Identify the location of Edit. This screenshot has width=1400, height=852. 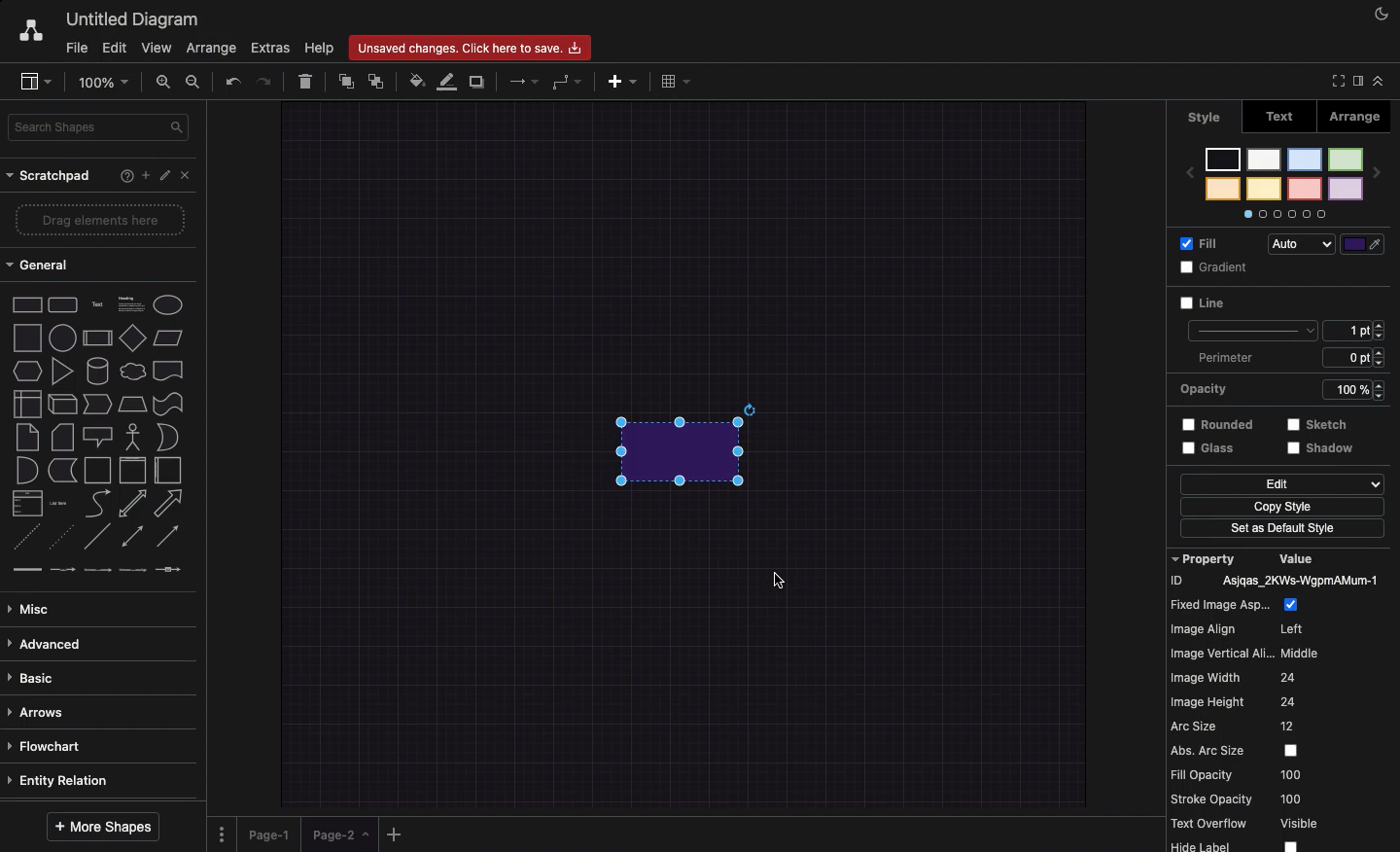
(114, 47).